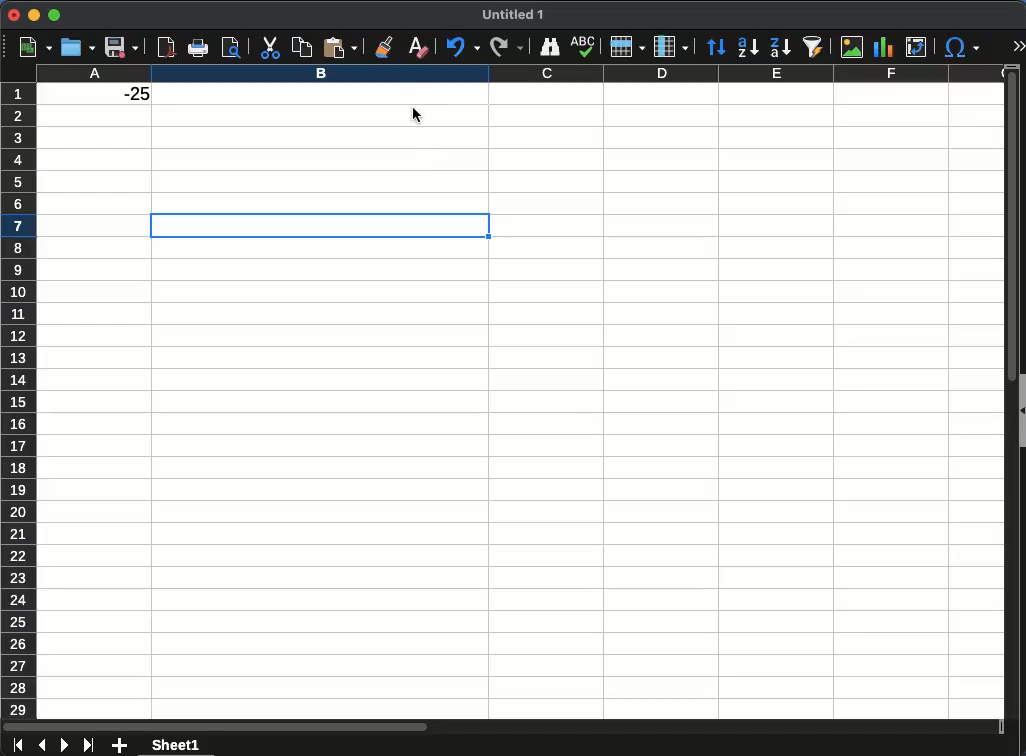 This screenshot has width=1026, height=756. Describe the element at coordinates (505, 48) in the screenshot. I see `redo` at that location.